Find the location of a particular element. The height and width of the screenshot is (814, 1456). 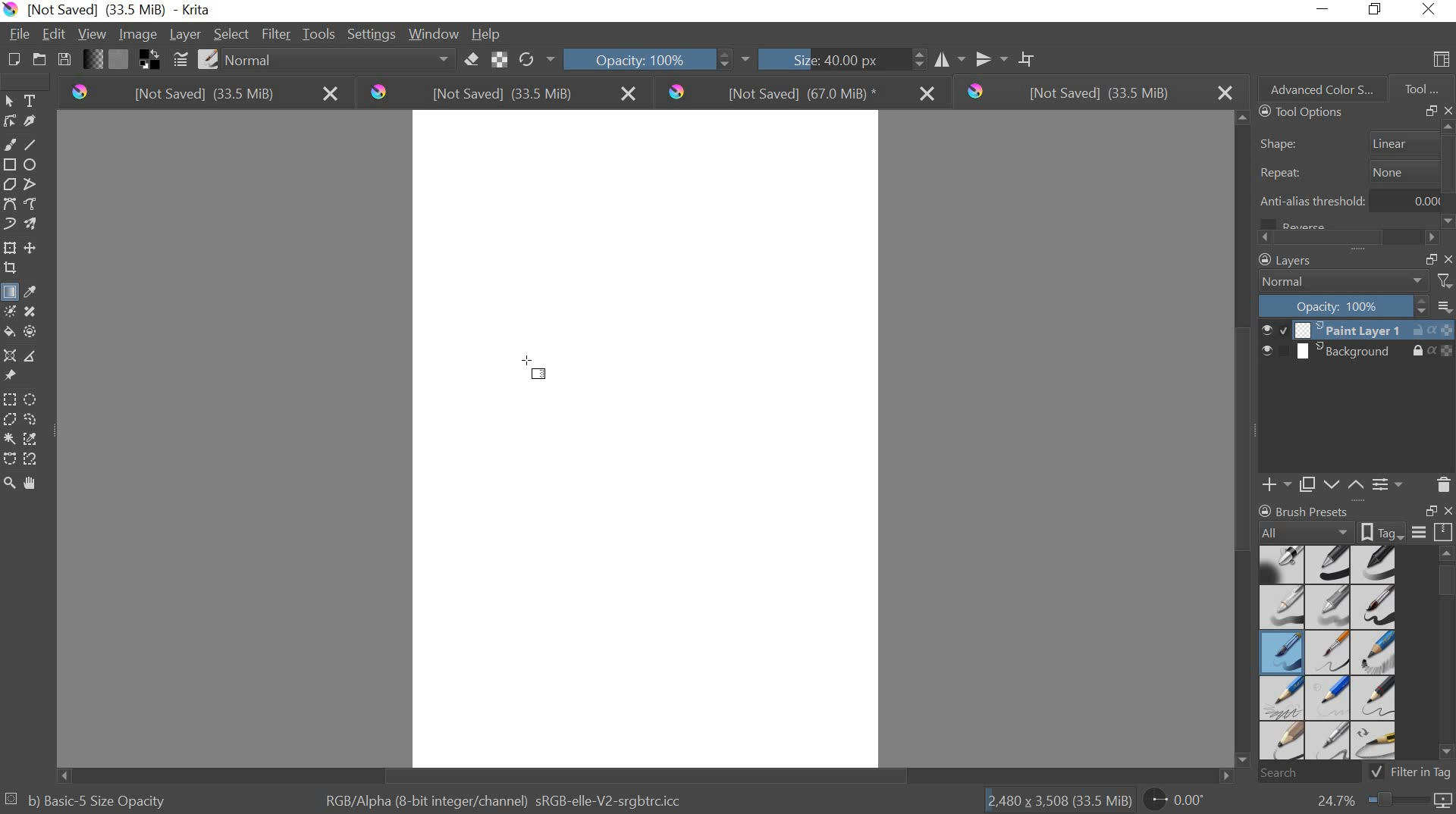

VIEW is located at coordinates (92, 36).